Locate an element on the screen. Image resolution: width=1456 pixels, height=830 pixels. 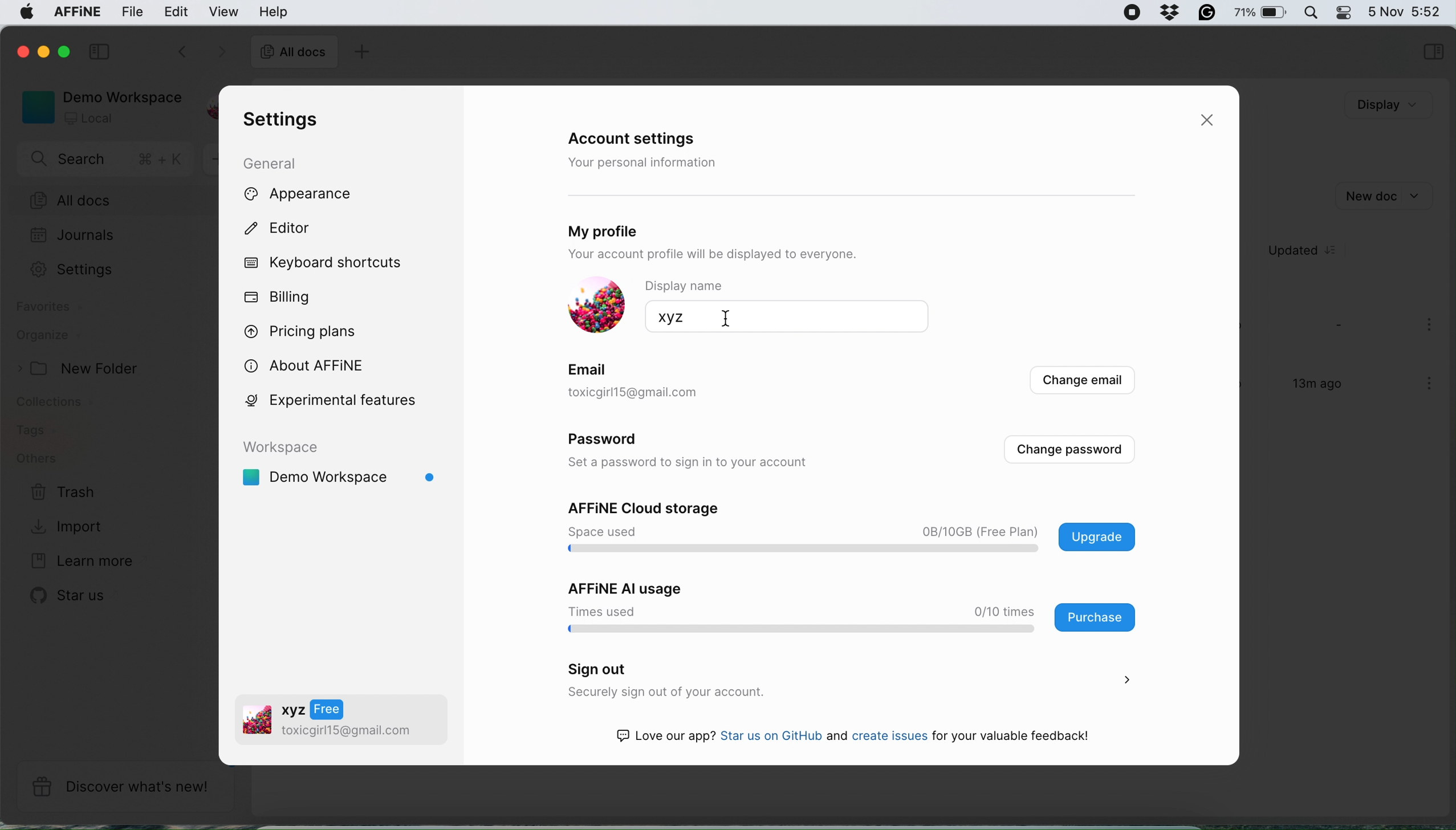
grammarly is located at coordinates (1166, 11).